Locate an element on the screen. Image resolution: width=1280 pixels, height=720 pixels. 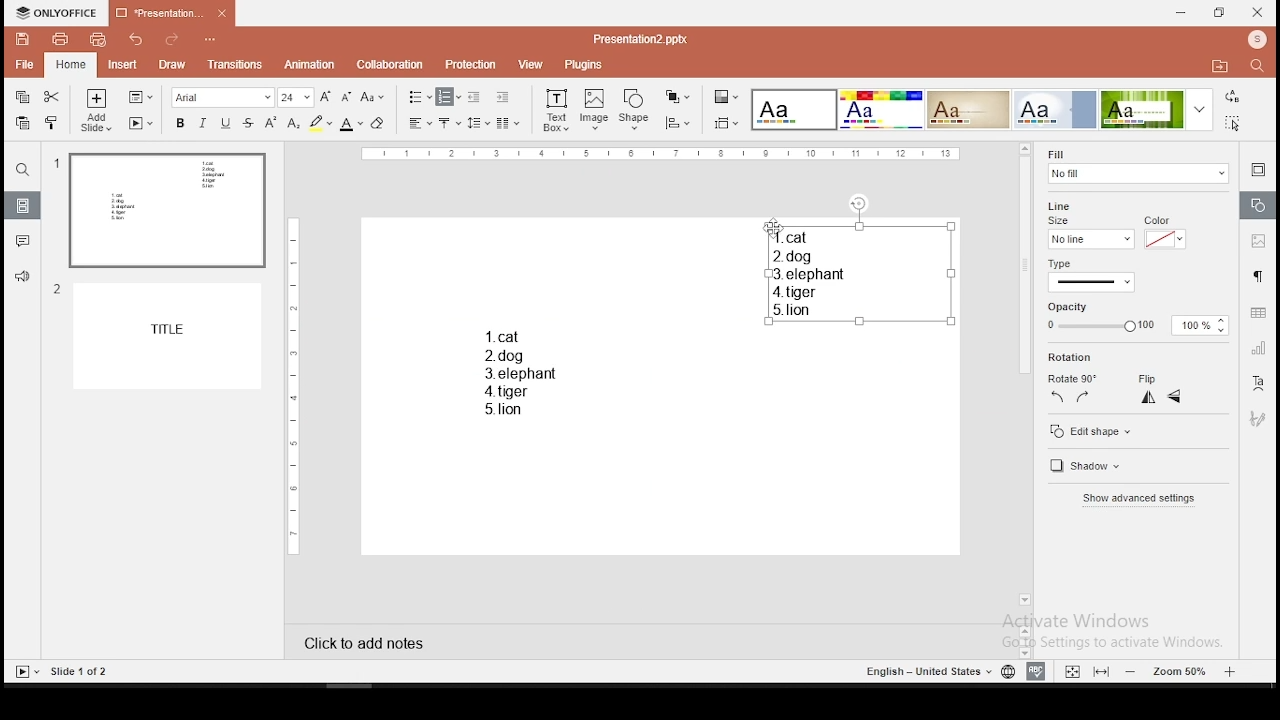
italics is located at coordinates (203, 122).